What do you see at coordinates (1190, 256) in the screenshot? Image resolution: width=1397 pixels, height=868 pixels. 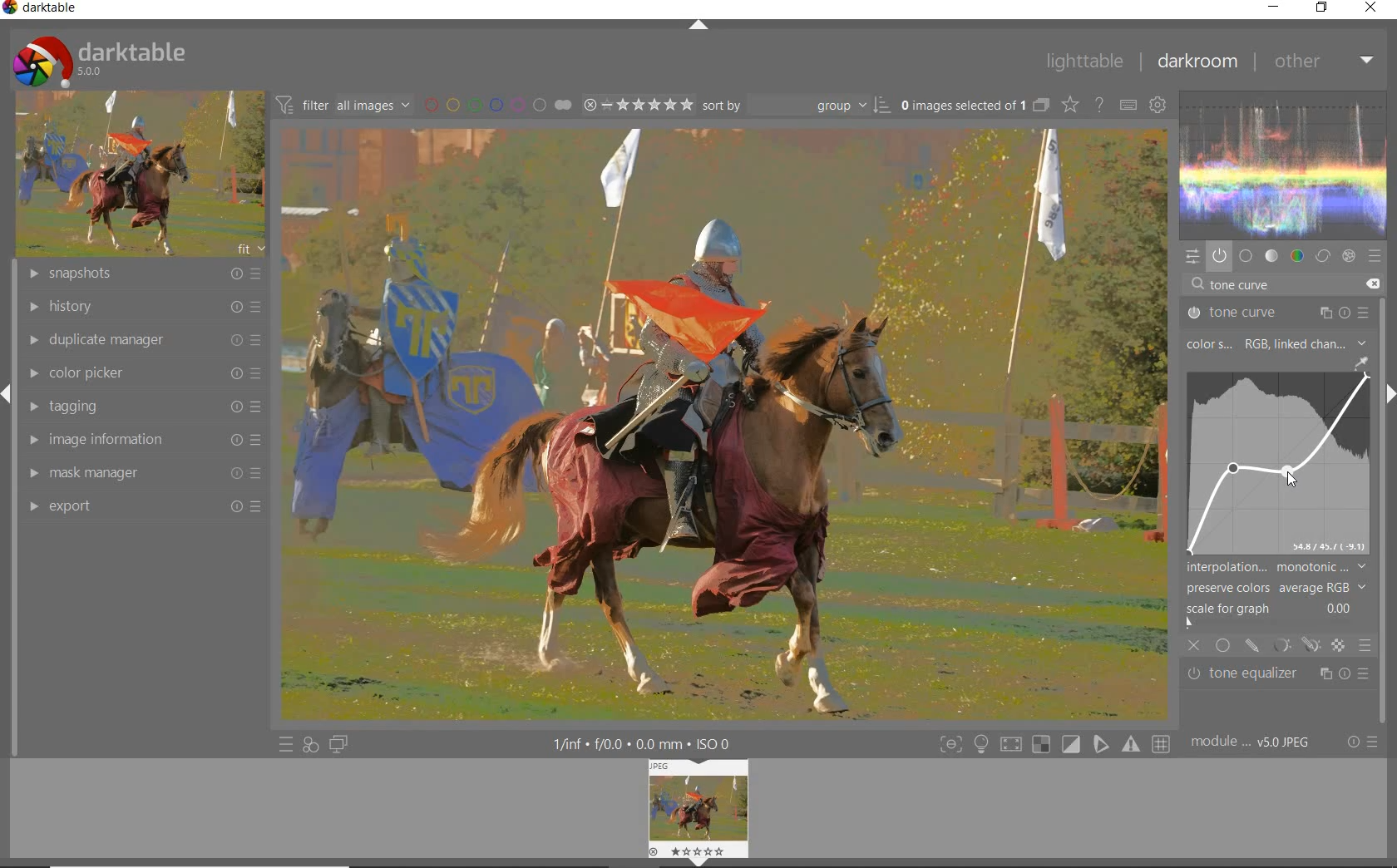 I see `quick access panel` at bounding box center [1190, 256].